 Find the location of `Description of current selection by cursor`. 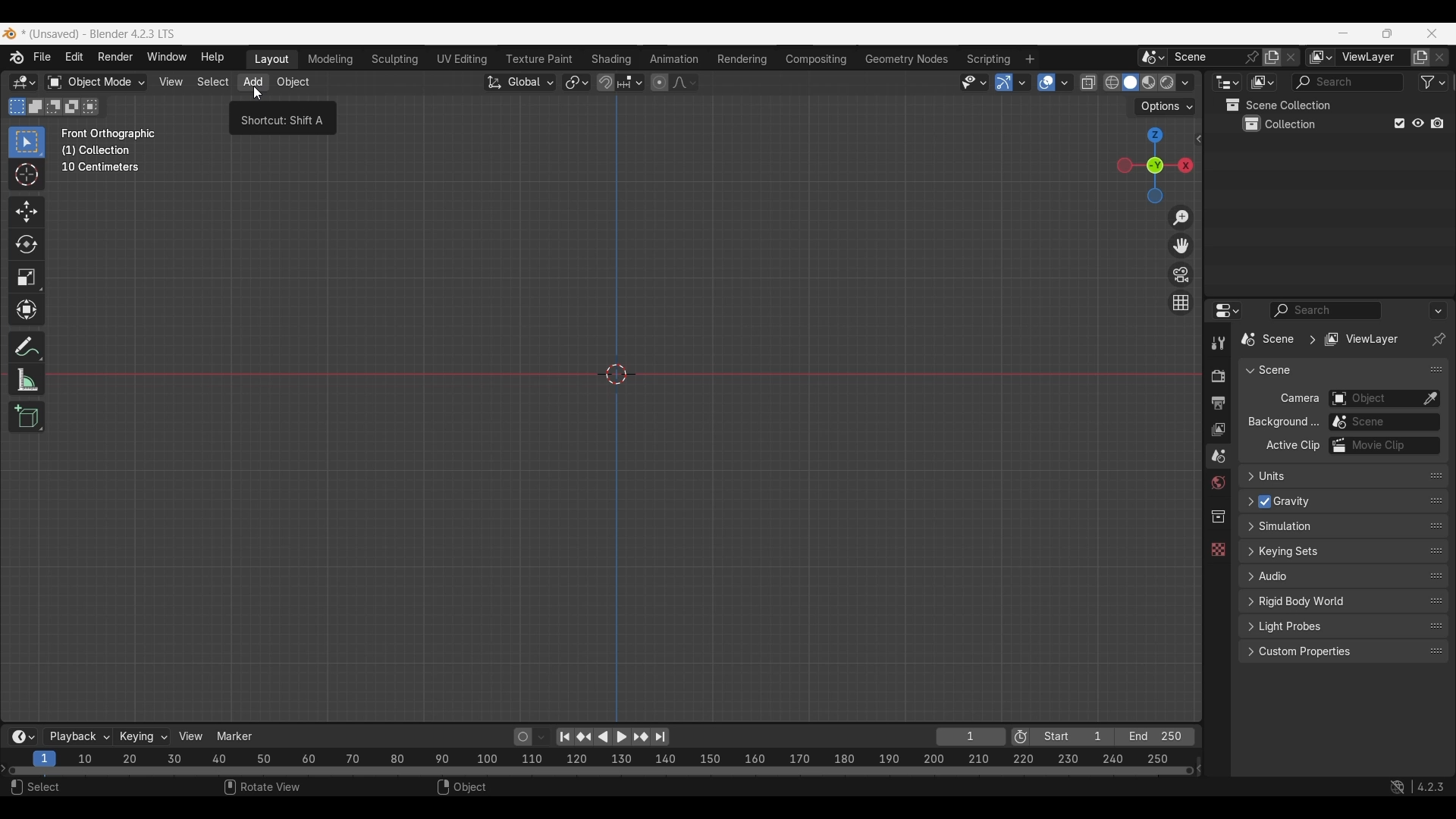

Description of current selection by cursor is located at coordinates (282, 118).